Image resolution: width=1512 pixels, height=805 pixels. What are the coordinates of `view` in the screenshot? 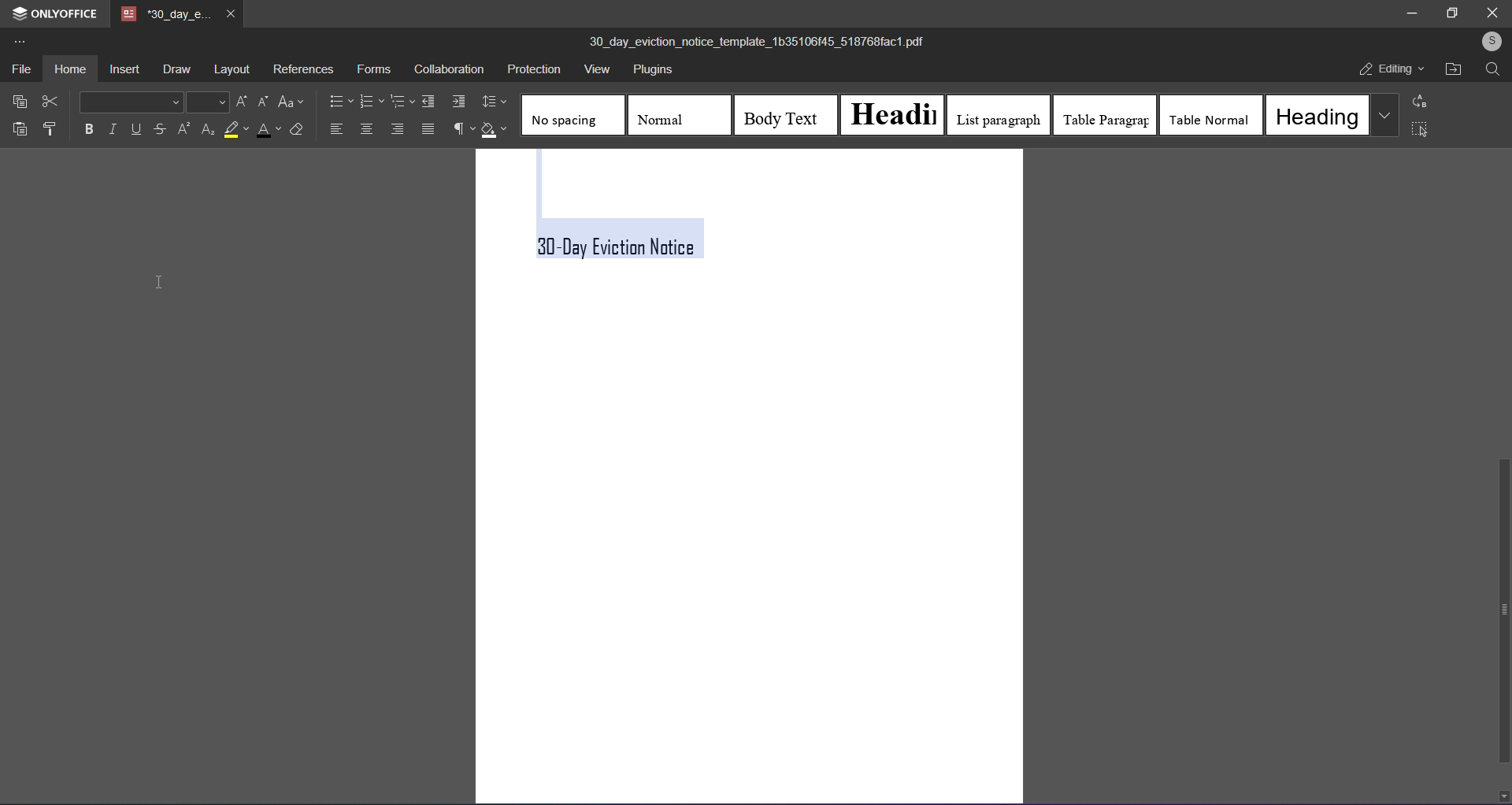 It's located at (595, 71).